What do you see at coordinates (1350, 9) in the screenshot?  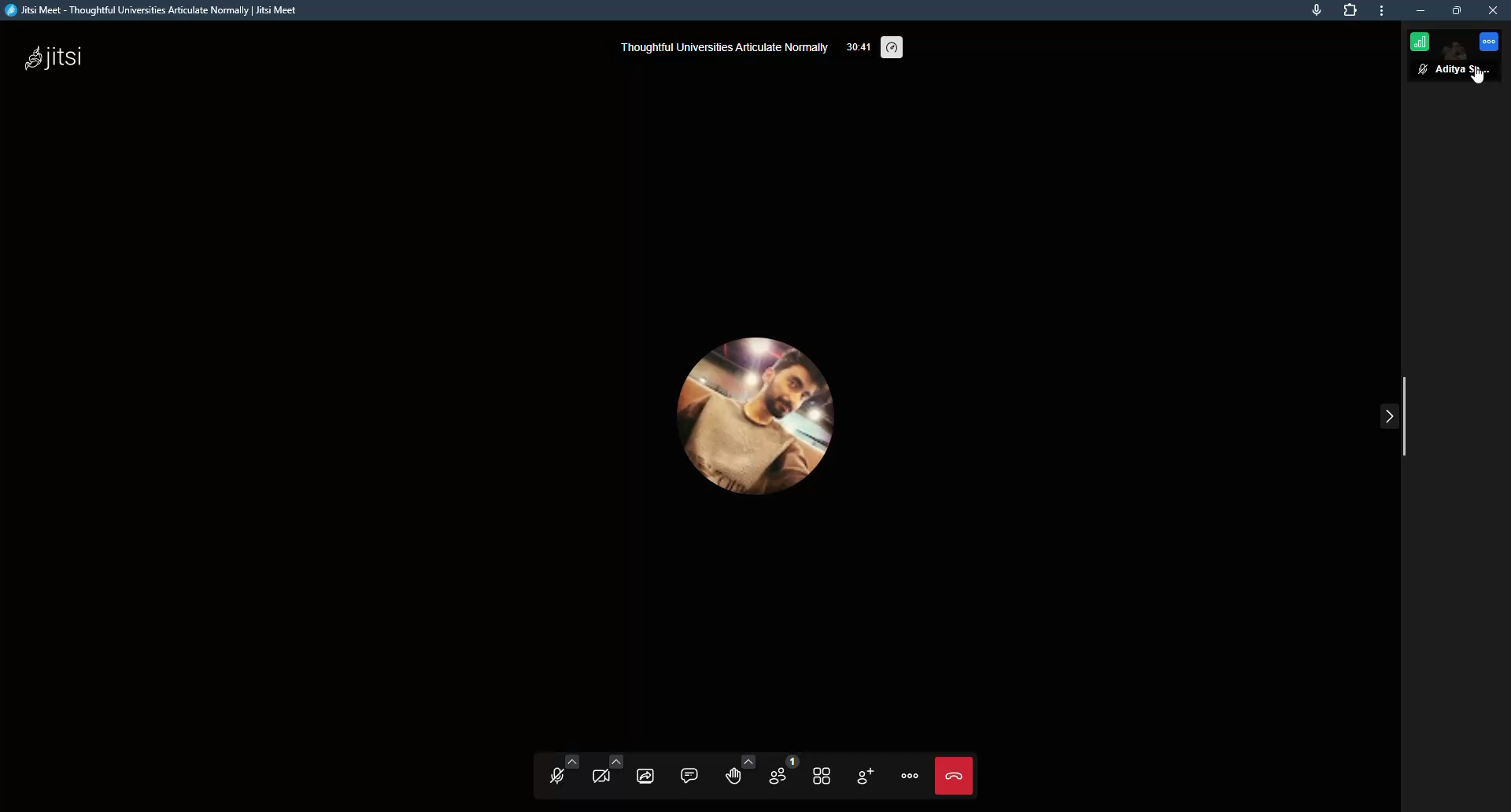 I see `extension` at bounding box center [1350, 9].